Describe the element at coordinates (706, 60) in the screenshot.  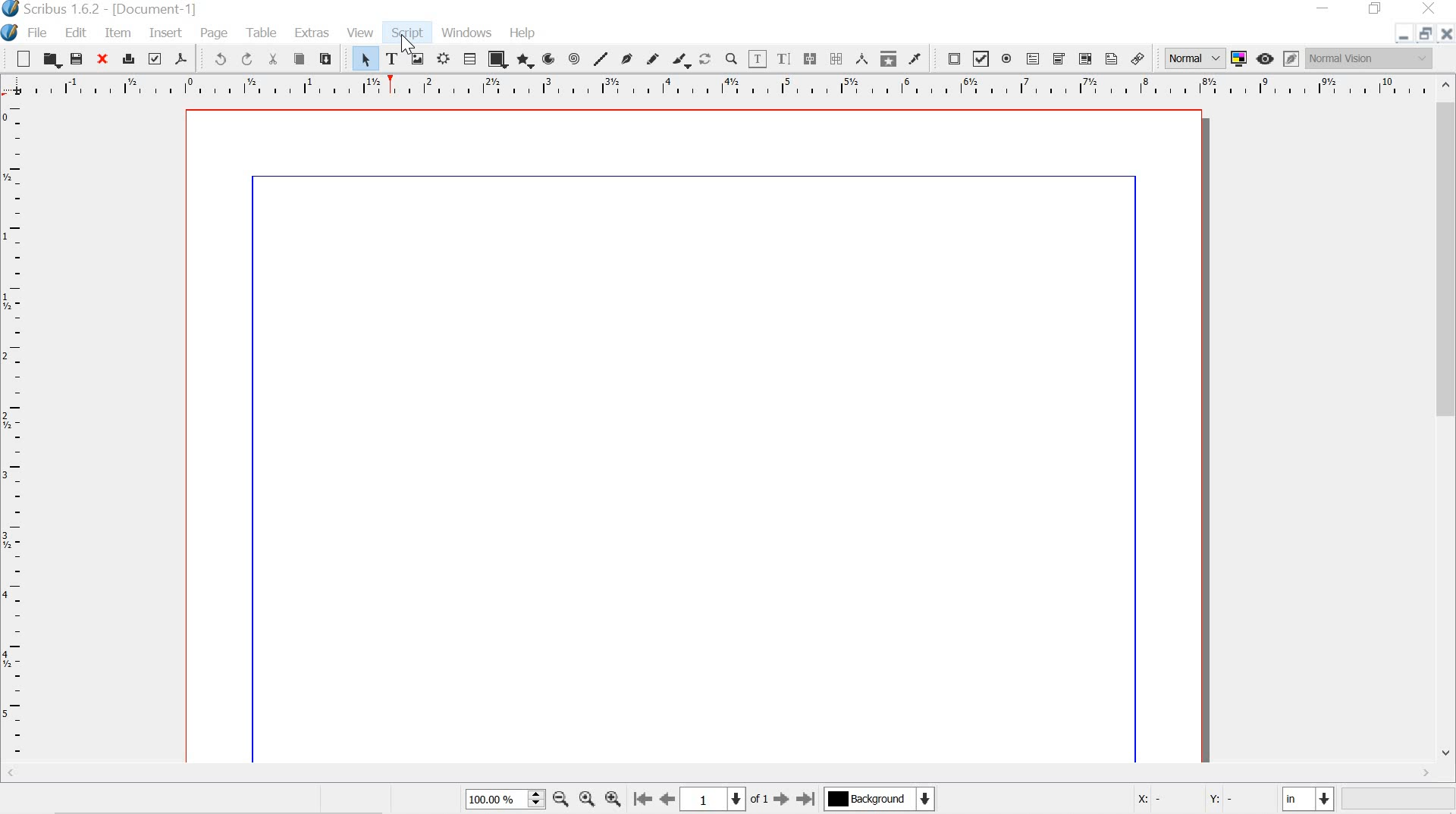
I see `rotate` at that location.